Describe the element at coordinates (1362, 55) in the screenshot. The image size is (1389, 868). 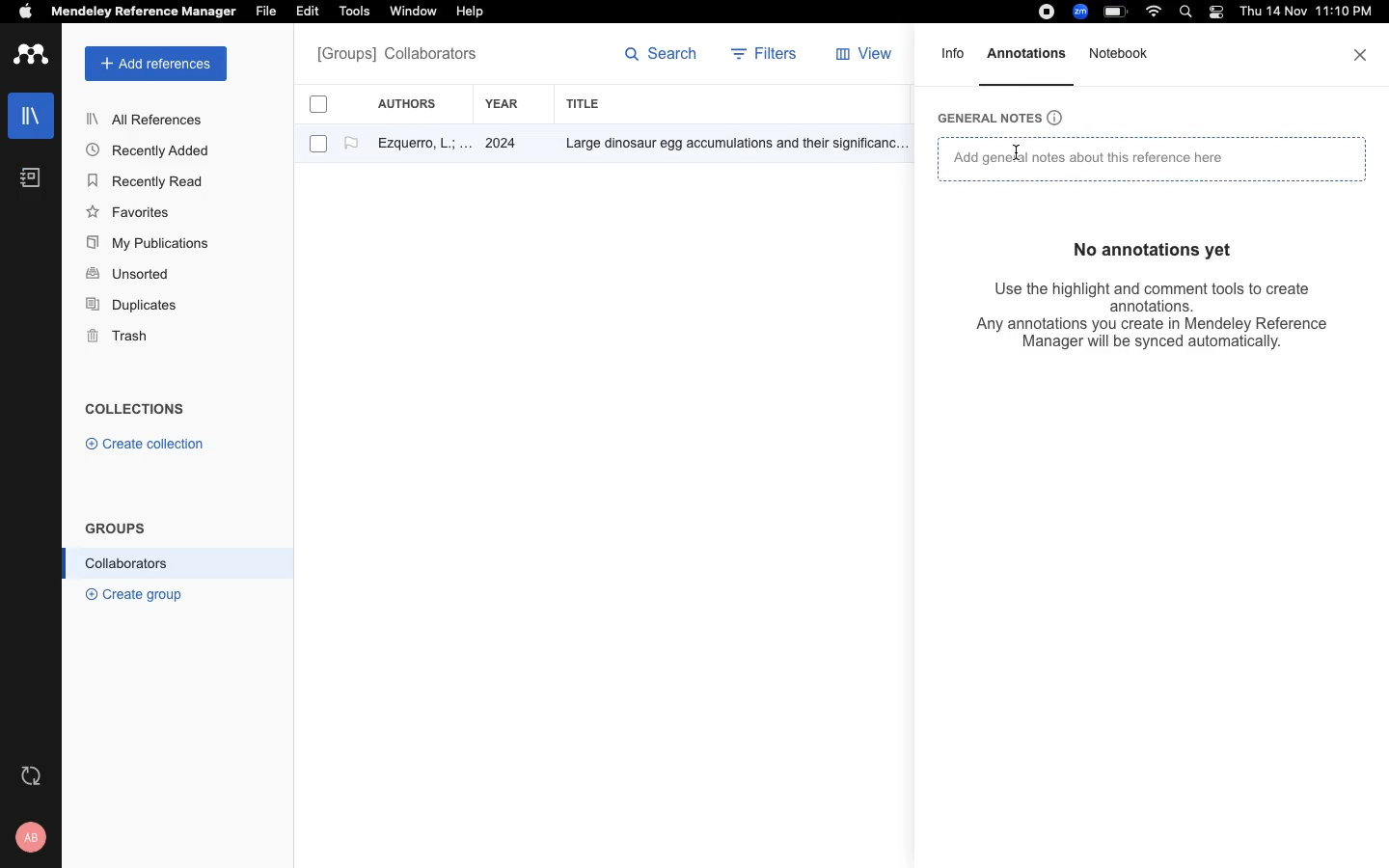
I see `close` at that location.